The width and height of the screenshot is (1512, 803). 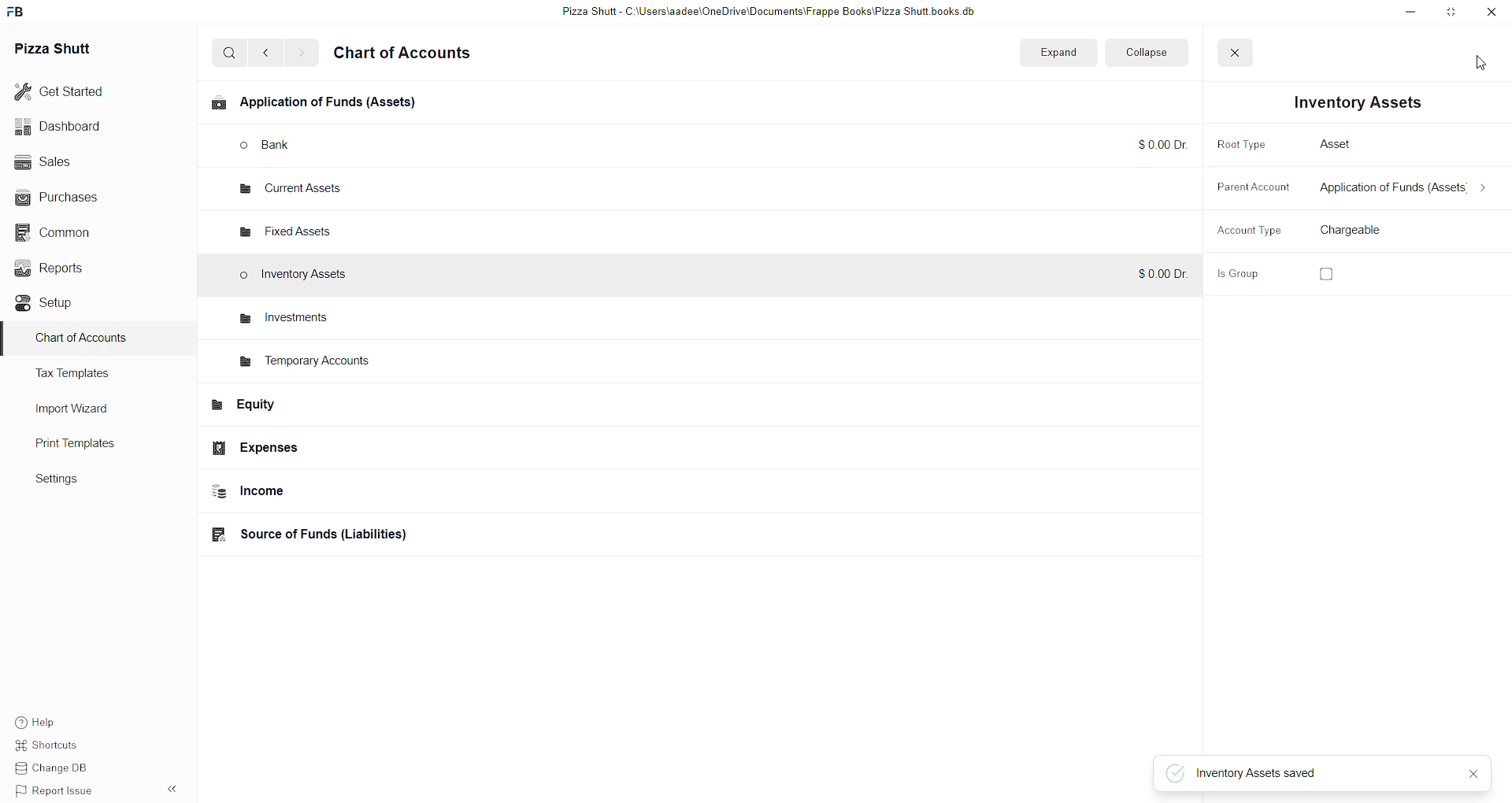 I want to click on Sales , so click(x=68, y=163).